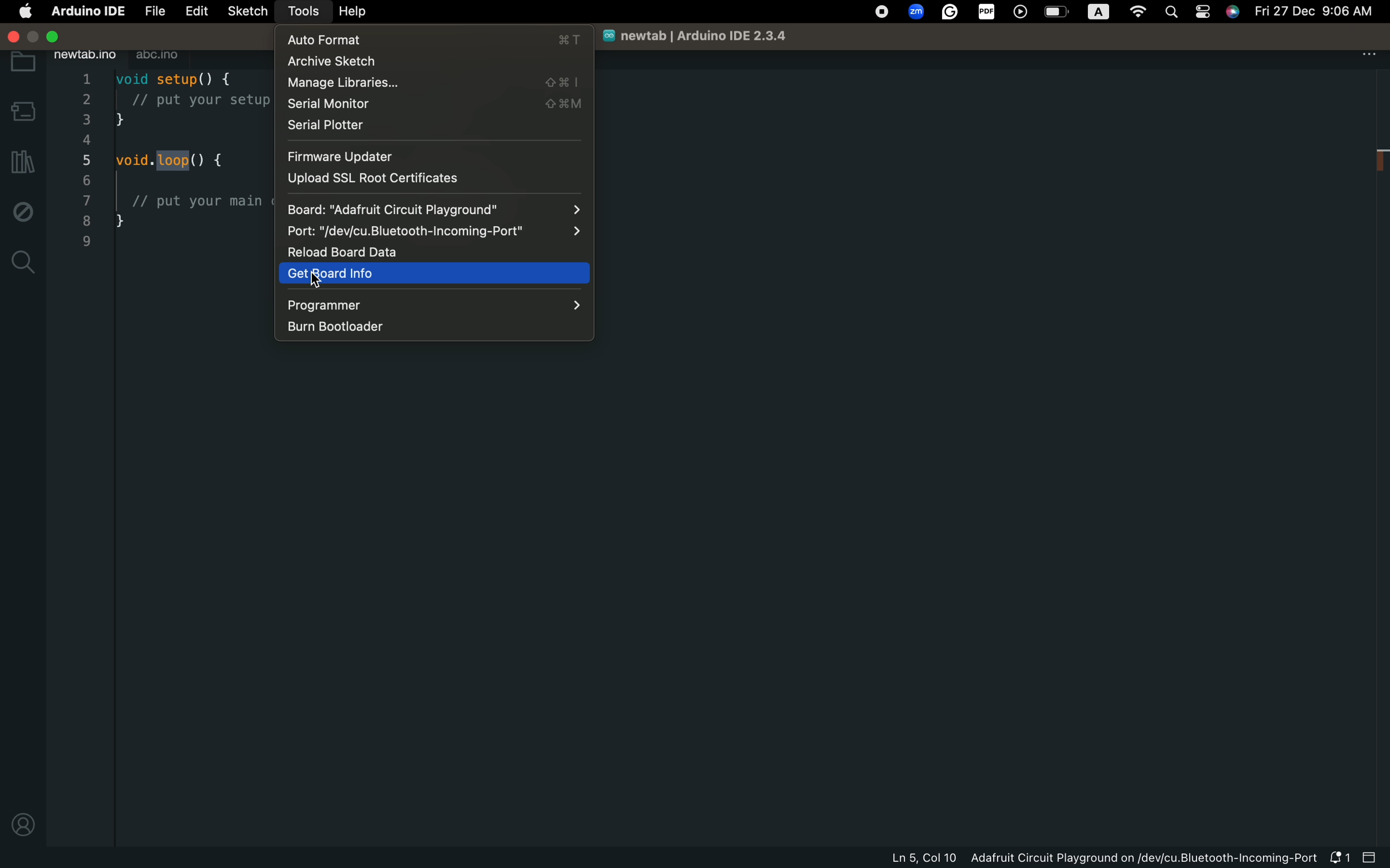 The image size is (1390, 868). Describe the element at coordinates (435, 39) in the screenshot. I see `auto format` at that location.